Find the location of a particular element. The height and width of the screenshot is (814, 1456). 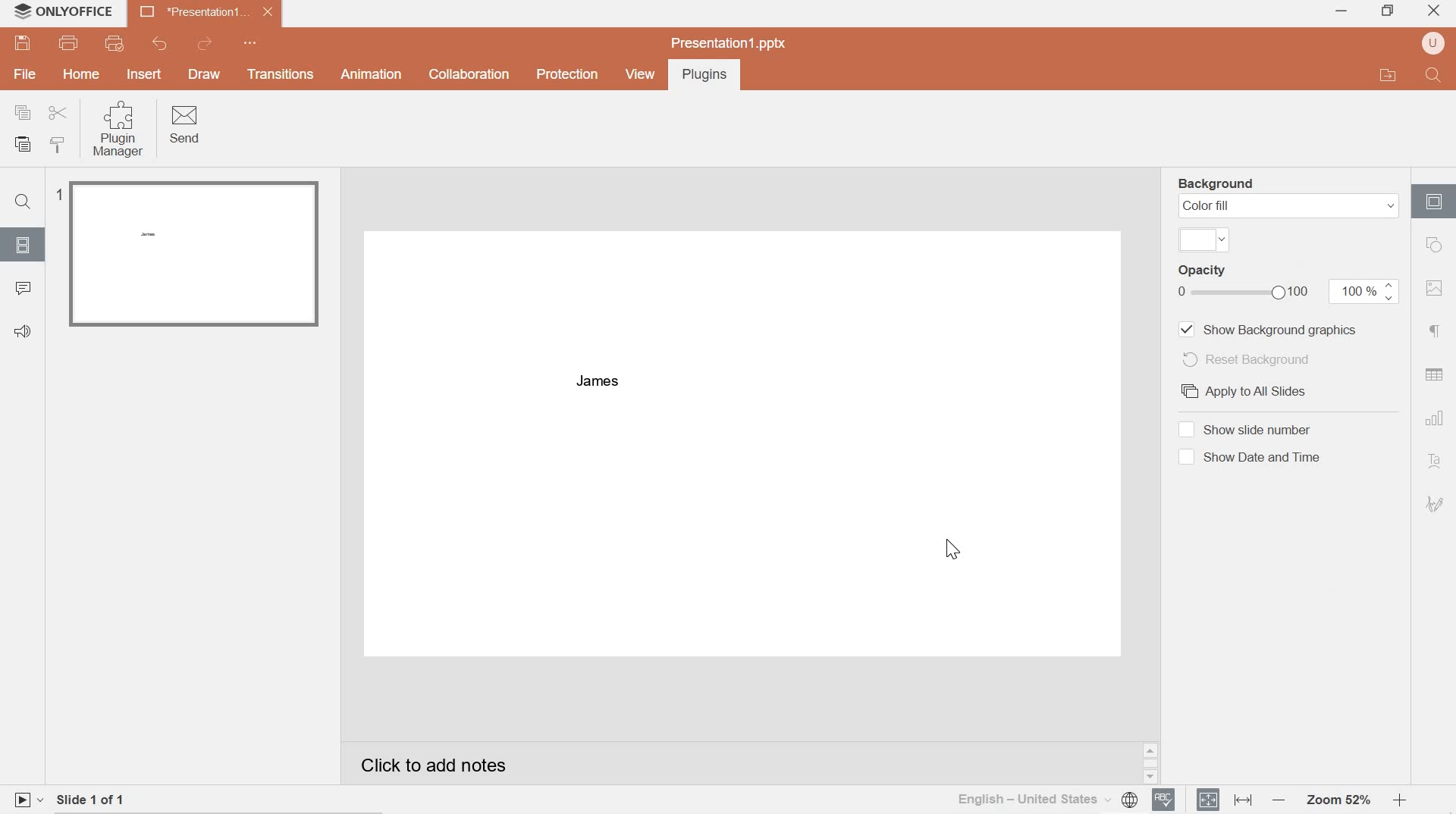

show sider number is located at coordinates (1244, 430).